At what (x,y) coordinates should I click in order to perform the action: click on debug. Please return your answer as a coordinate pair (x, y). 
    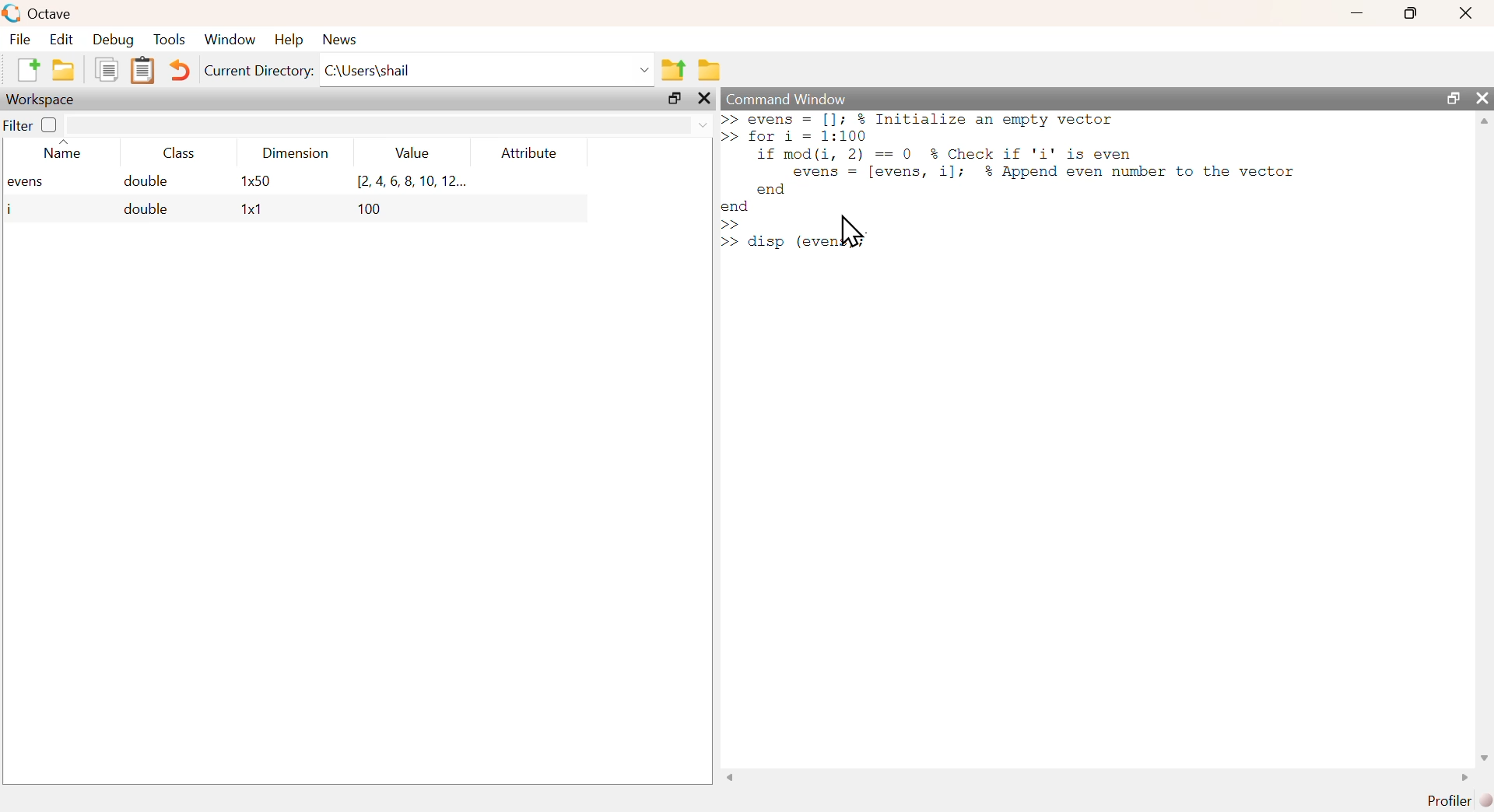
    Looking at the image, I should click on (116, 40).